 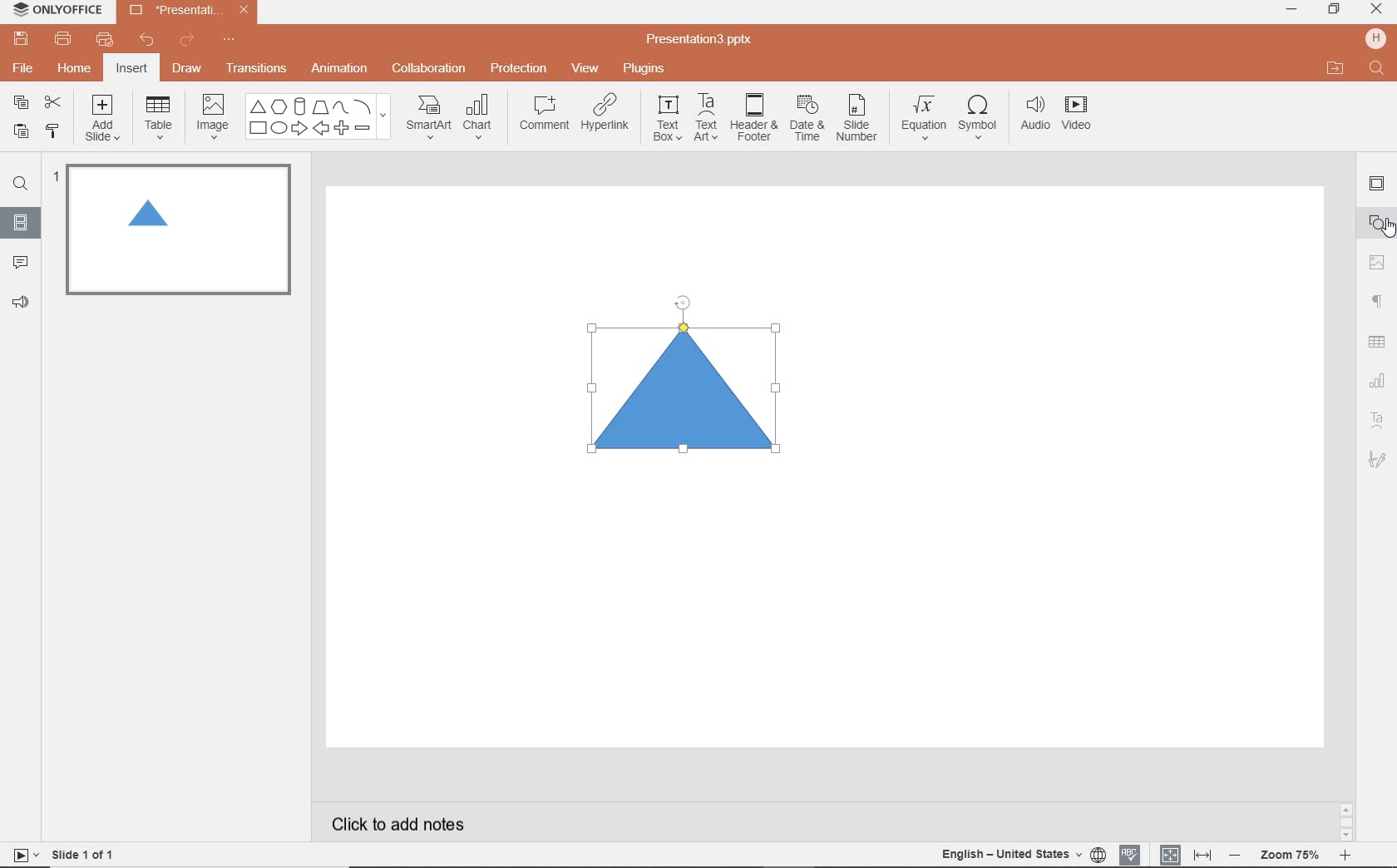 I want to click on mouse pointer, so click(x=1389, y=229).